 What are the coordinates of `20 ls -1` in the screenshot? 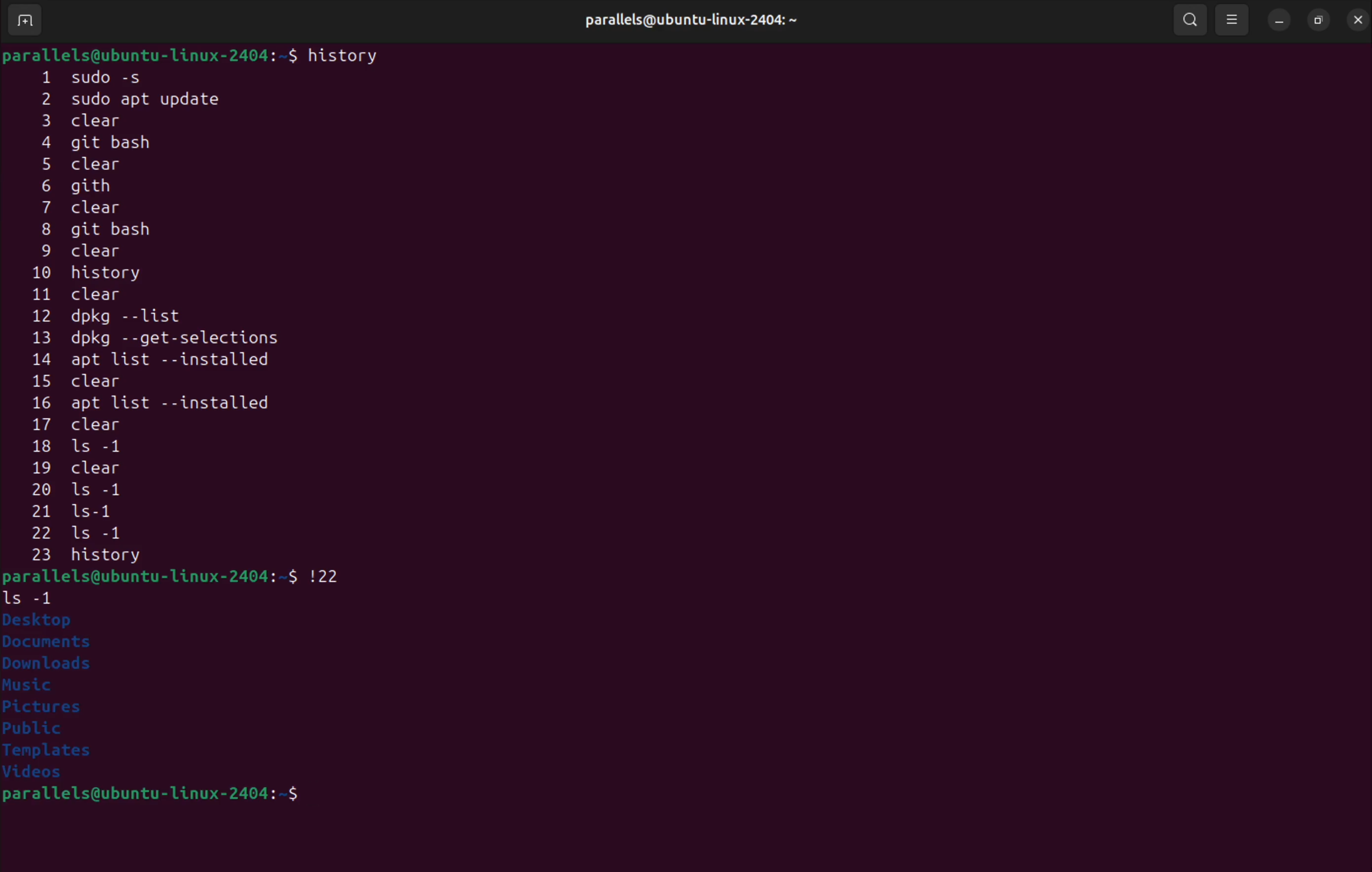 It's located at (81, 492).